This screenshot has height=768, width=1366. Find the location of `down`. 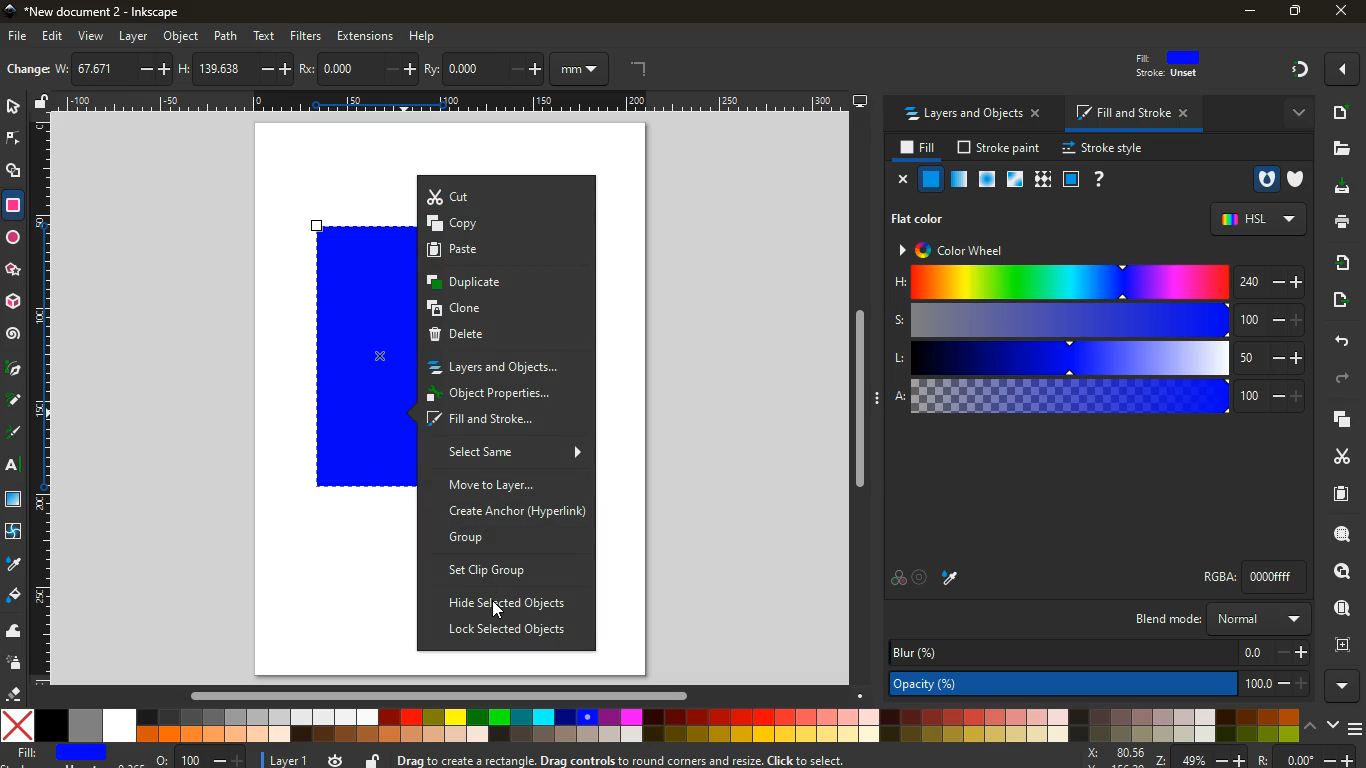

down is located at coordinates (1332, 726).